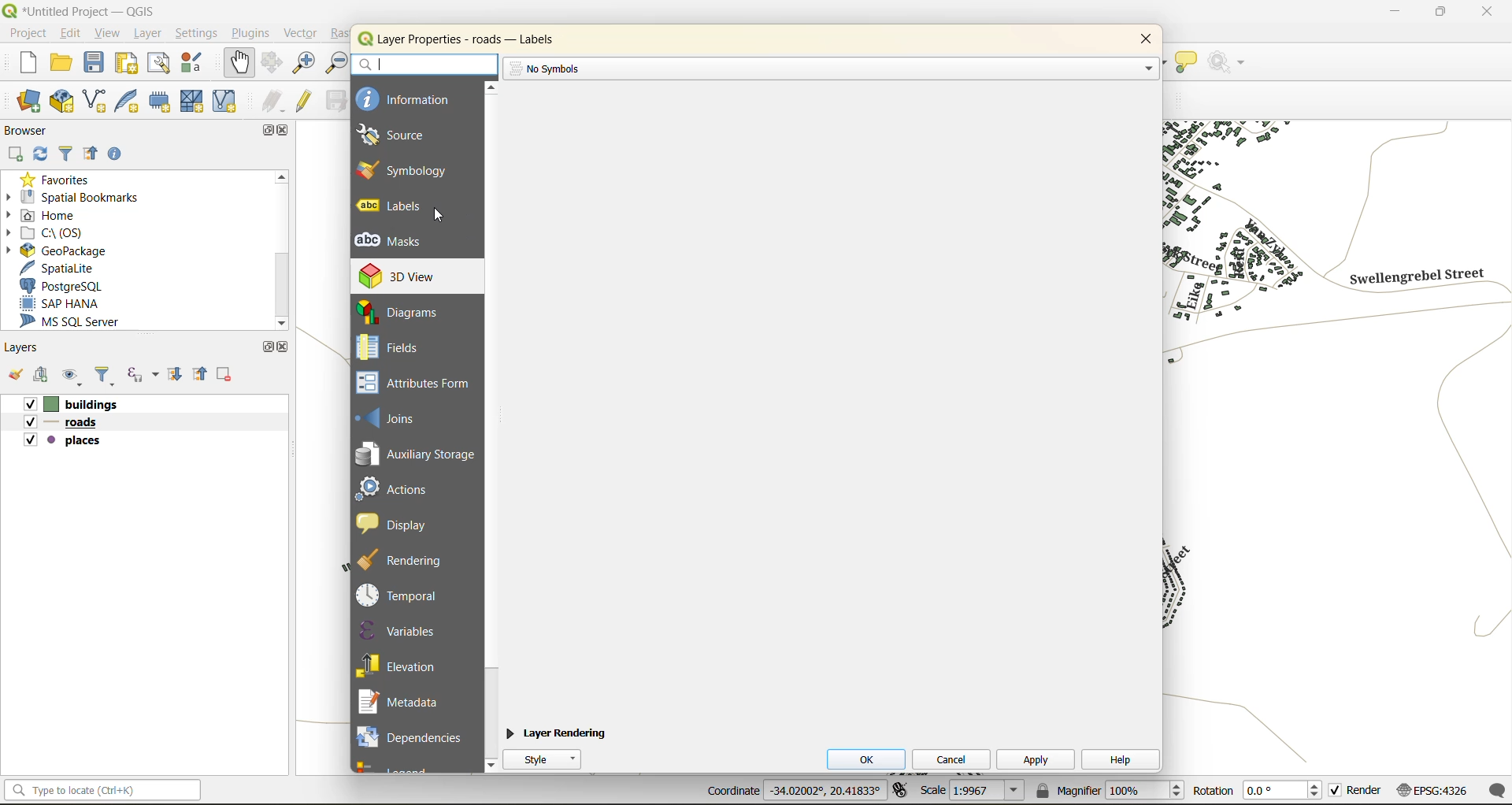  I want to click on maximize, so click(265, 347).